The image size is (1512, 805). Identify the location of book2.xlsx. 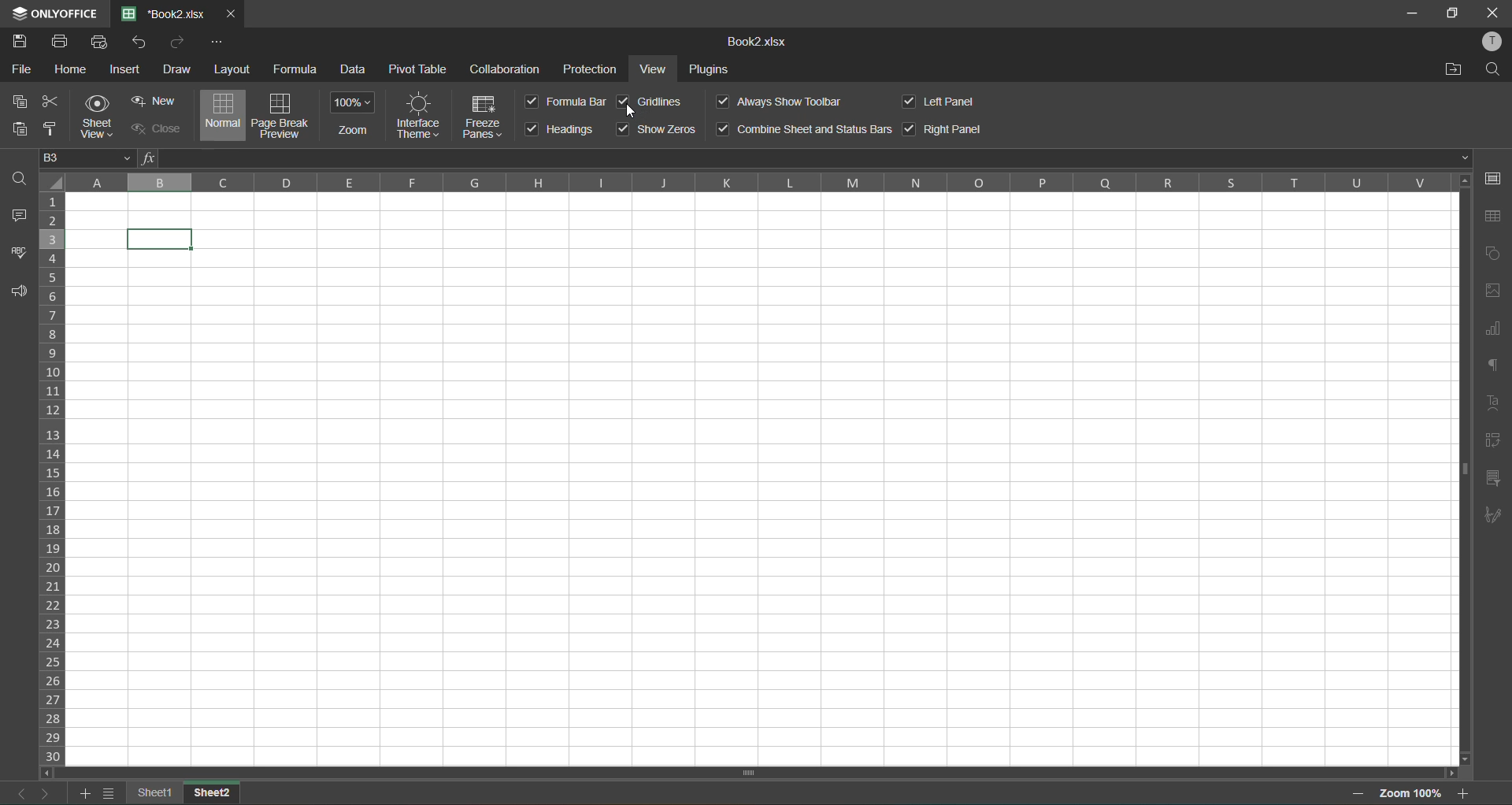
(165, 14).